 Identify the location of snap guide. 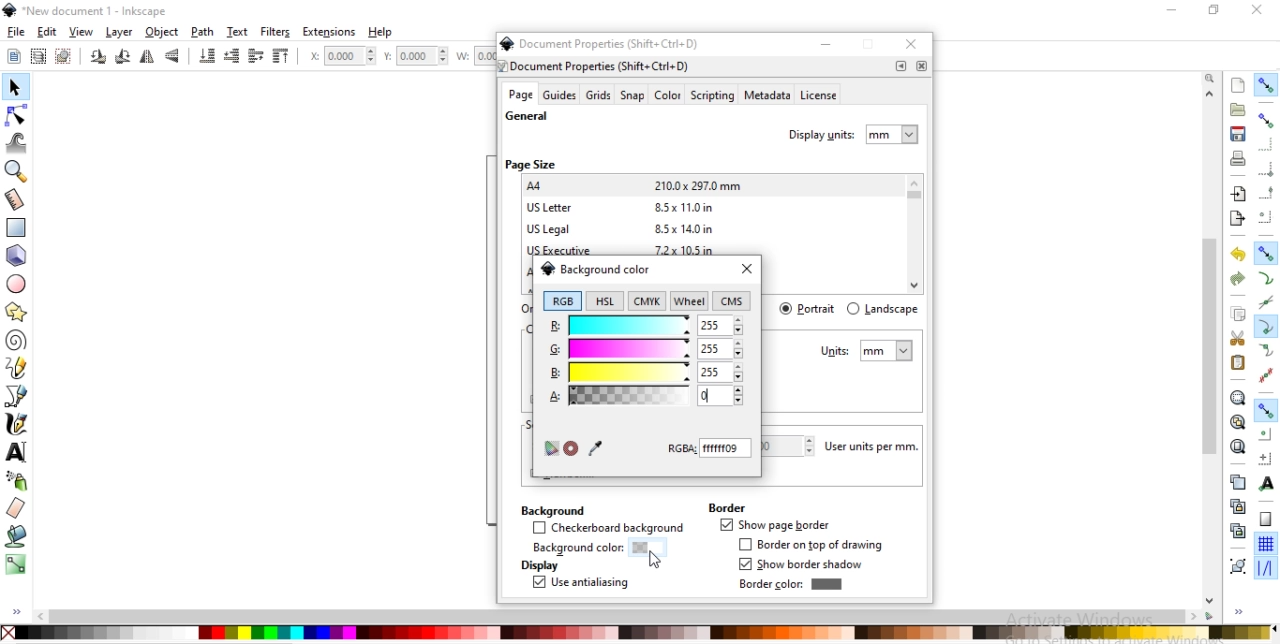
(1266, 569).